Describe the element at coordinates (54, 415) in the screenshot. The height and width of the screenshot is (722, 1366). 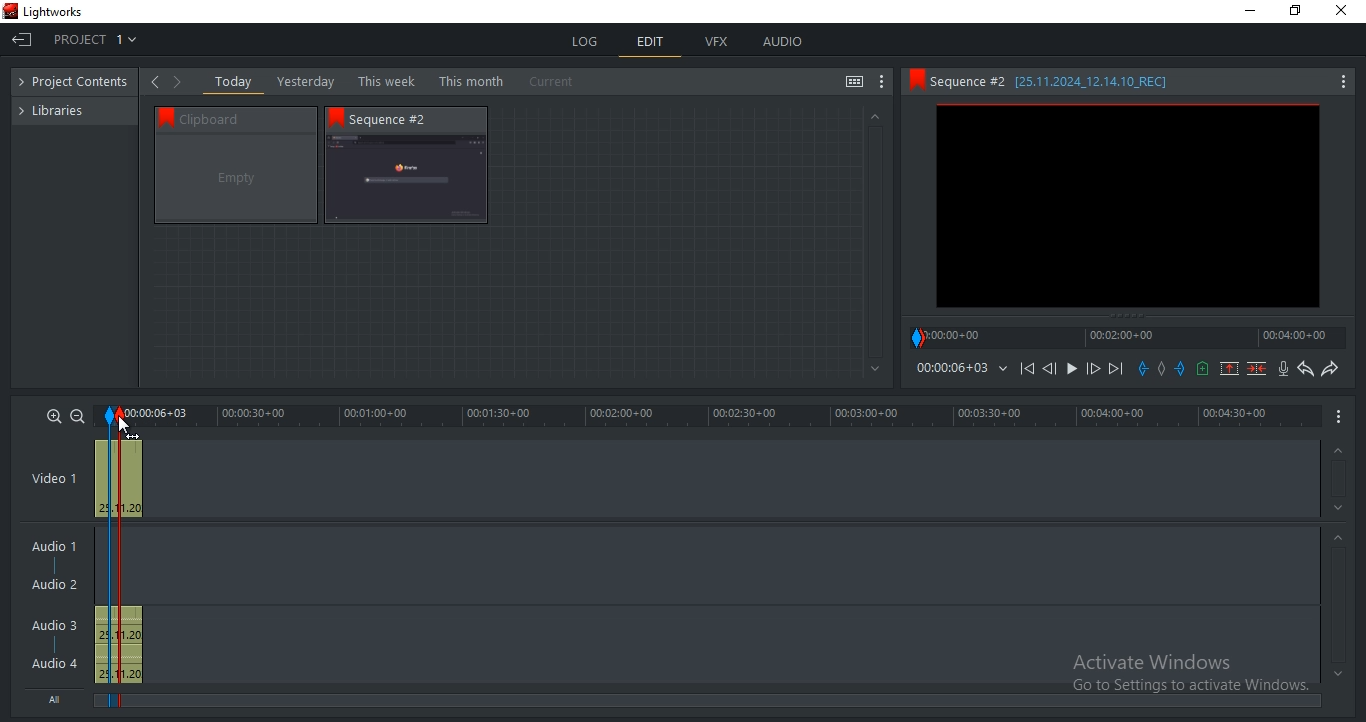
I see `zoom in` at that location.